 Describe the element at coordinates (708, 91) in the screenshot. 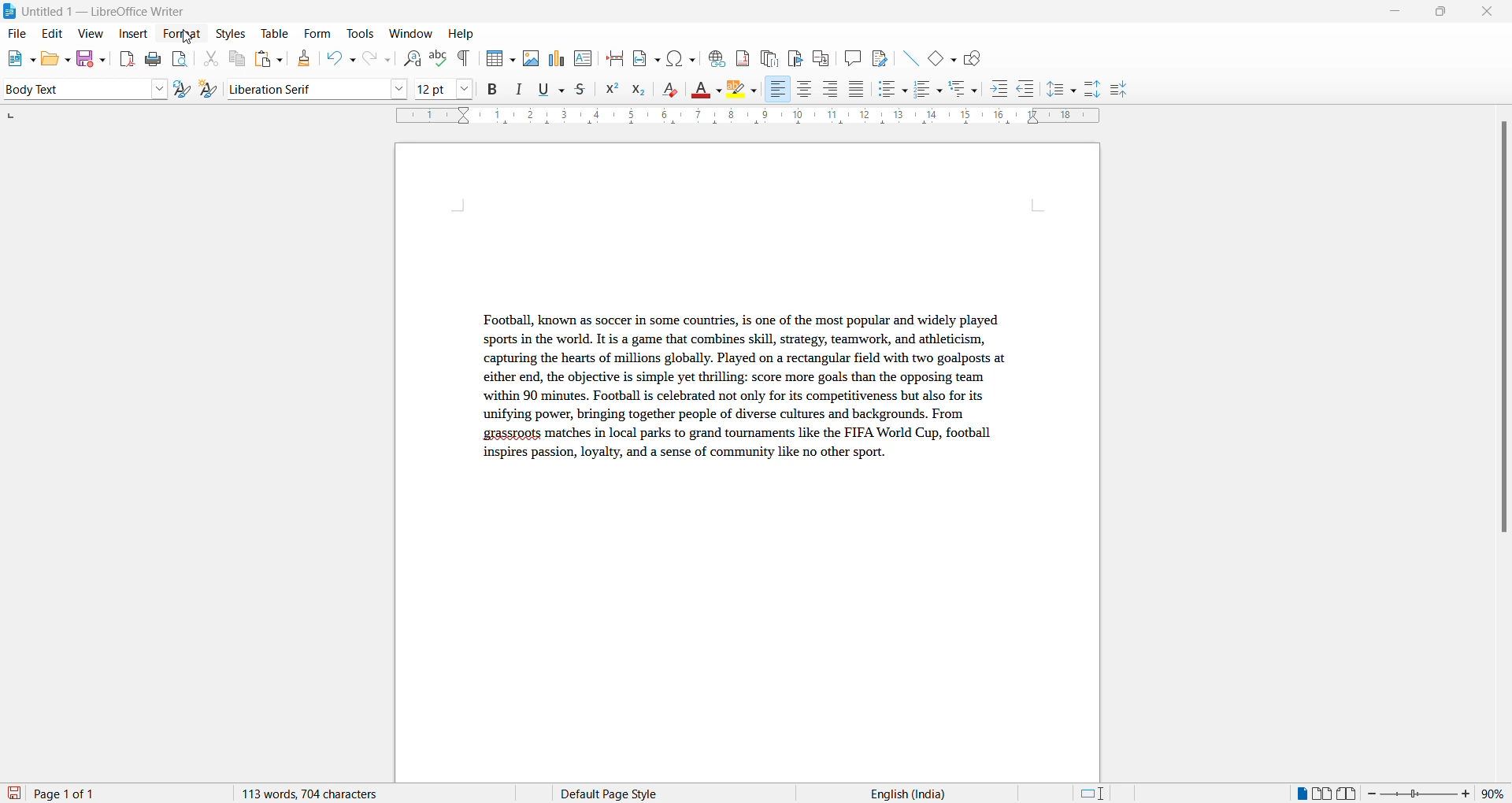

I see `font color` at that location.